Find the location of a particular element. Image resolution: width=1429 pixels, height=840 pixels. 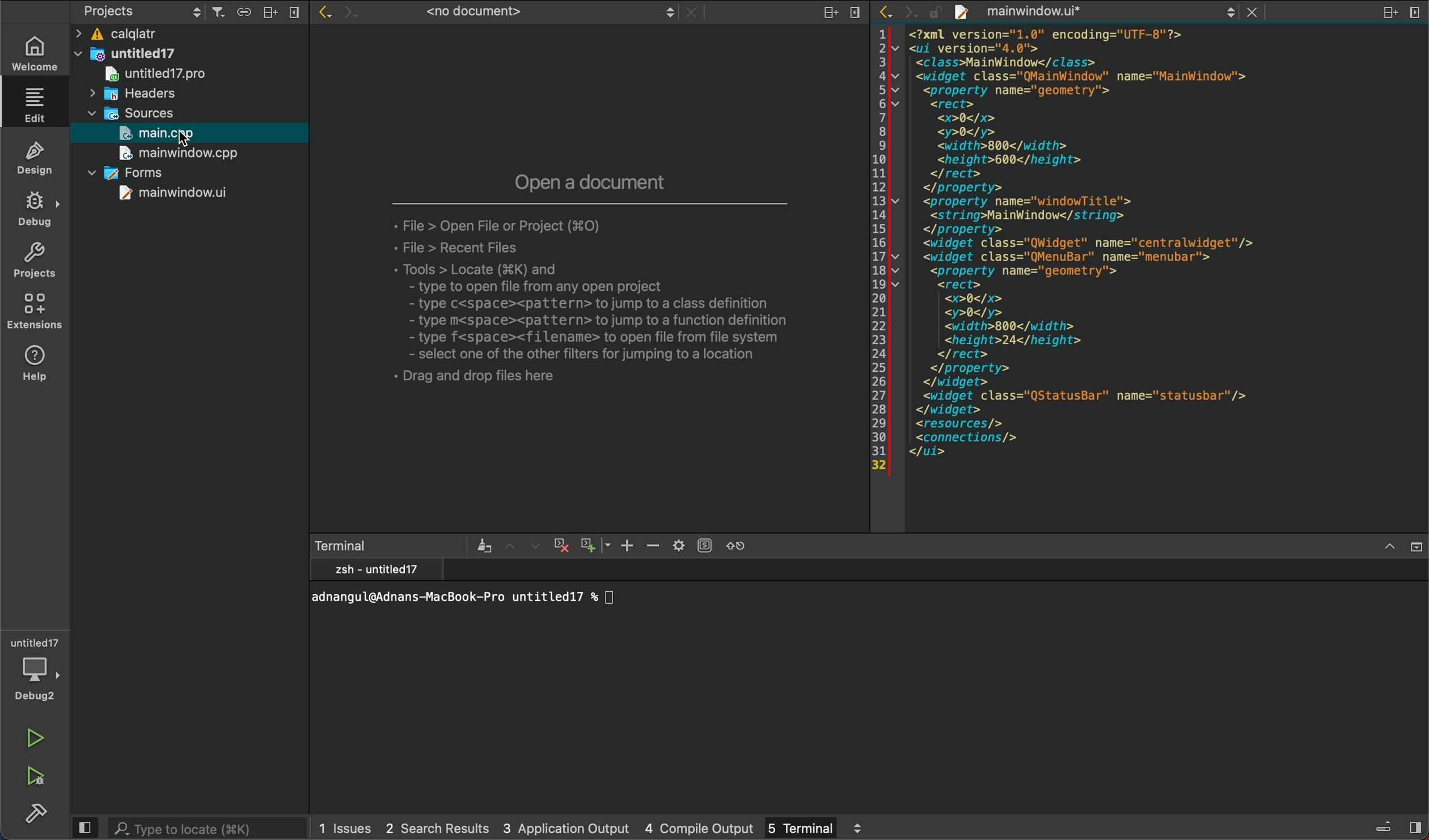

close document is located at coordinates (1258, 12).